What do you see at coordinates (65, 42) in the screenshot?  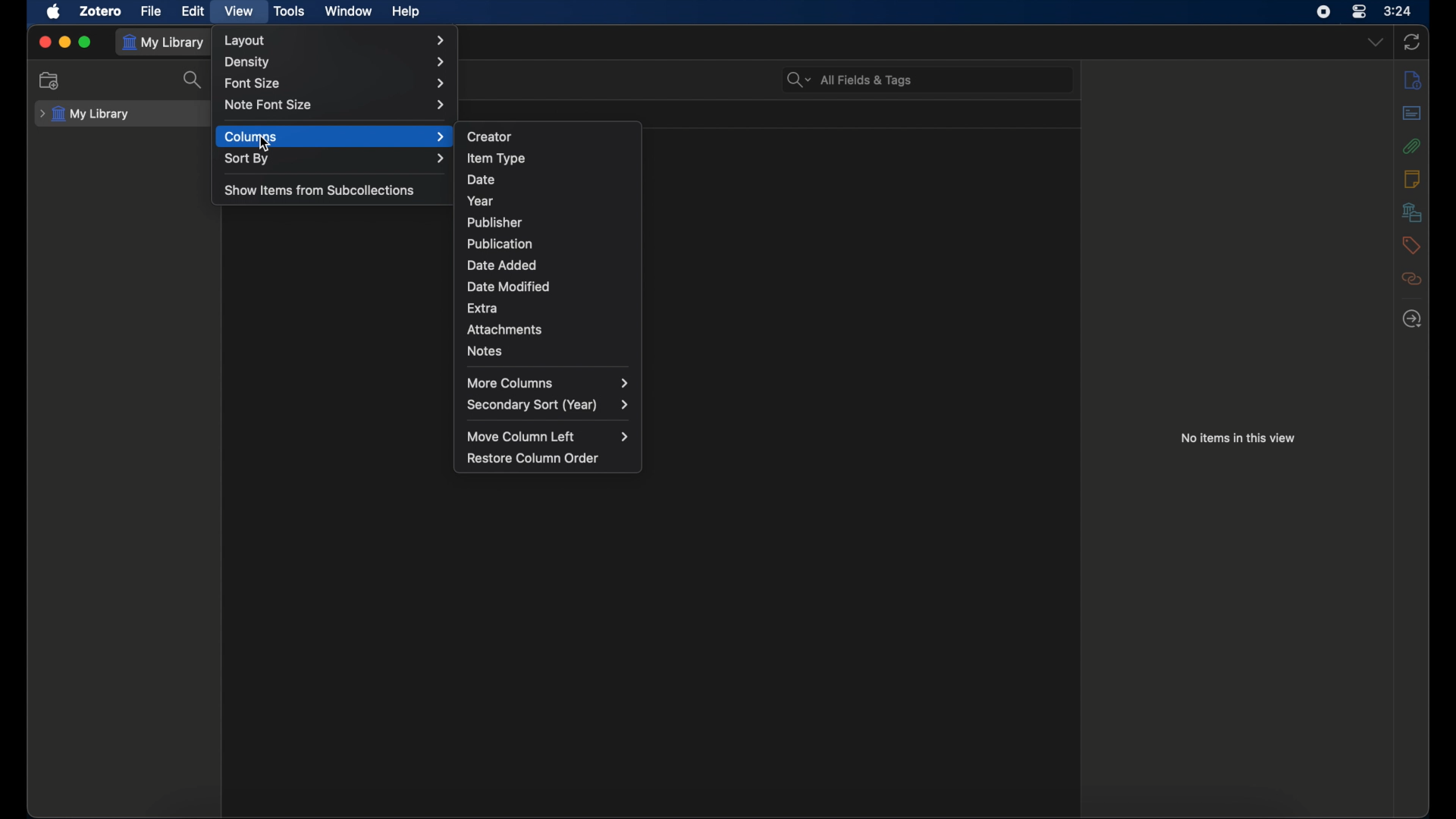 I see `minimize` at bounding box center [65, 42].